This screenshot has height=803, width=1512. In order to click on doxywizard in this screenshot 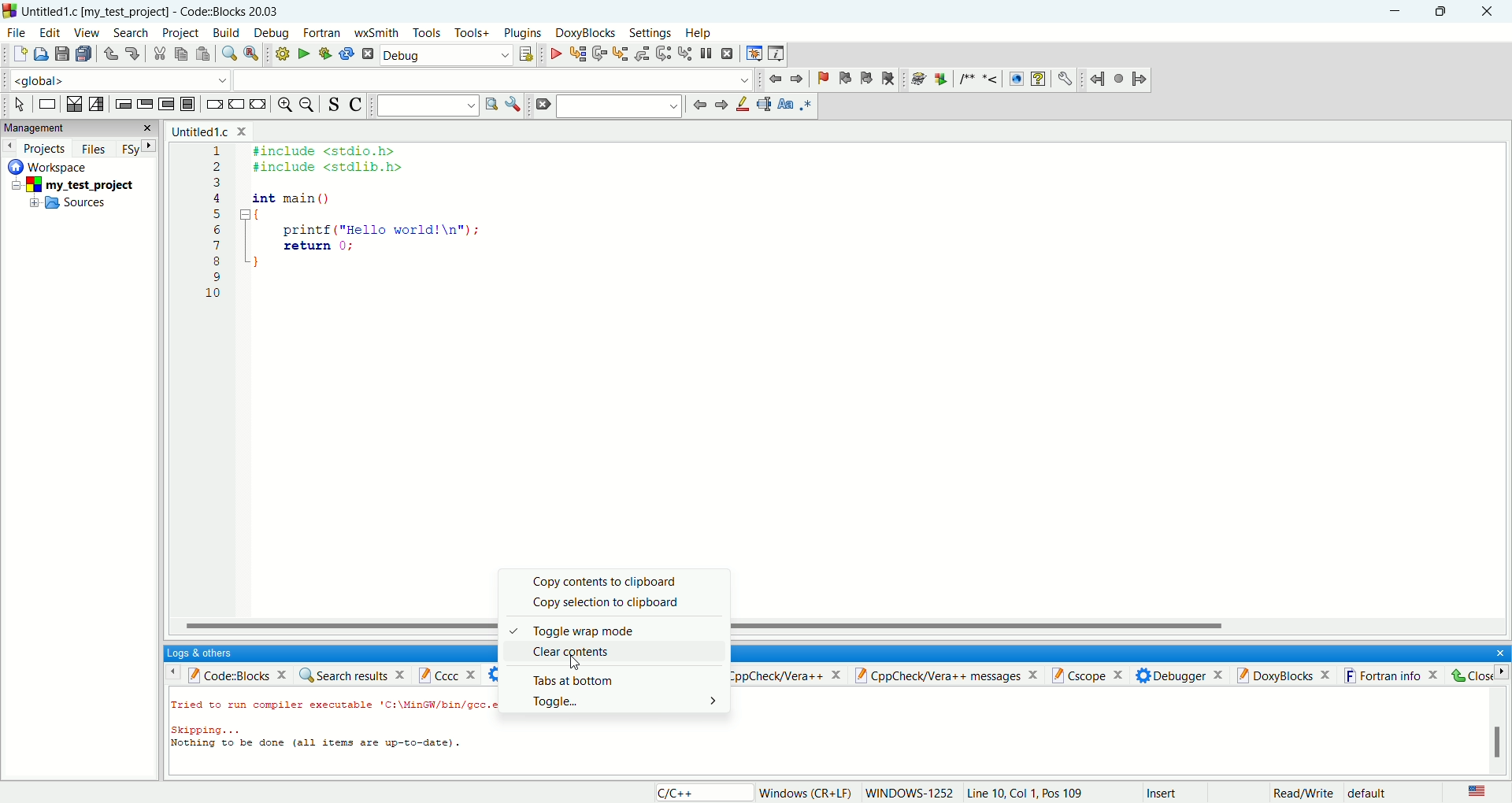, I will do `click(916, 80)`.